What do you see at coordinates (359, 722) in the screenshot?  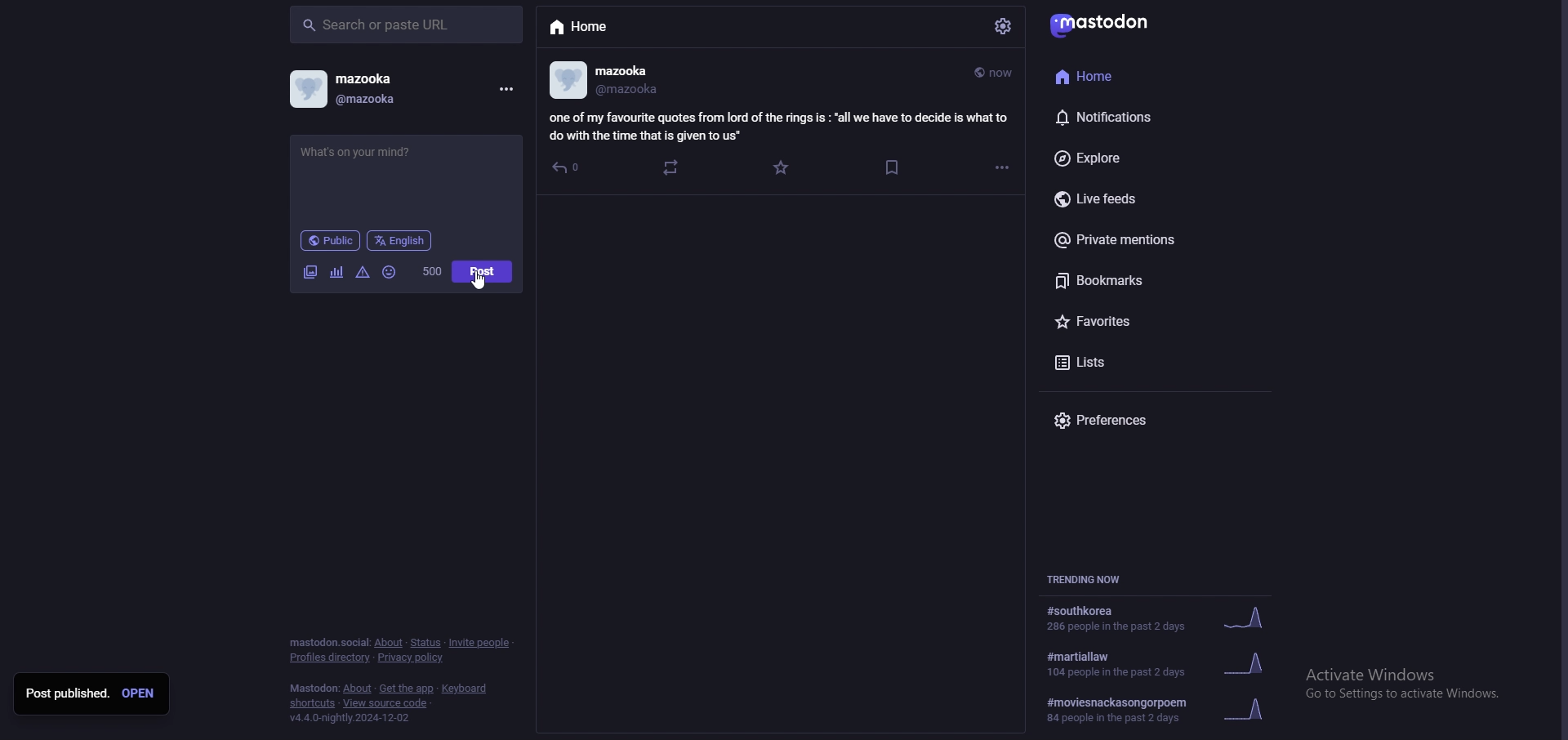 I see `Application version` at bounding box center [359, 722].